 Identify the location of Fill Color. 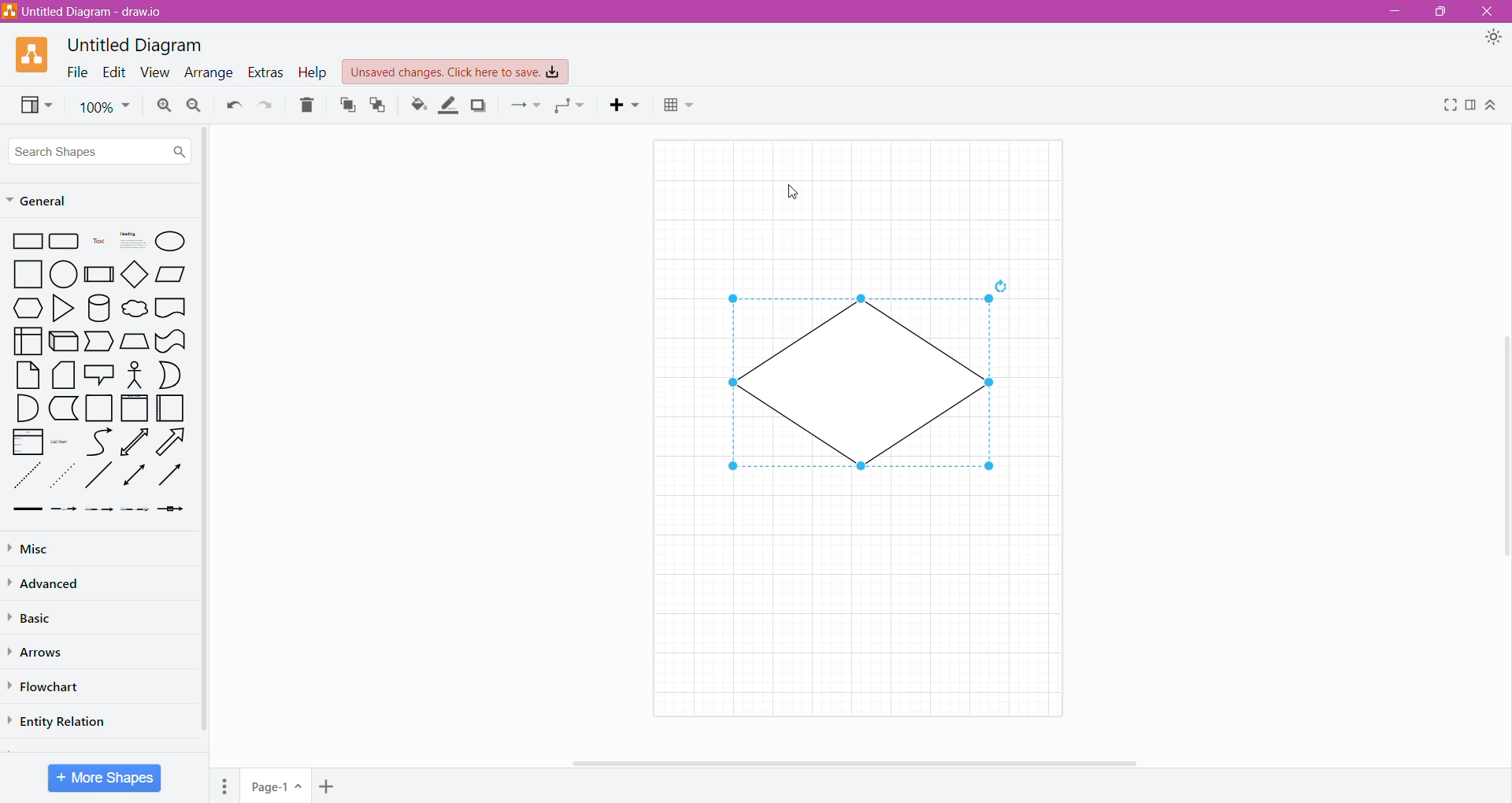
(419, 105).